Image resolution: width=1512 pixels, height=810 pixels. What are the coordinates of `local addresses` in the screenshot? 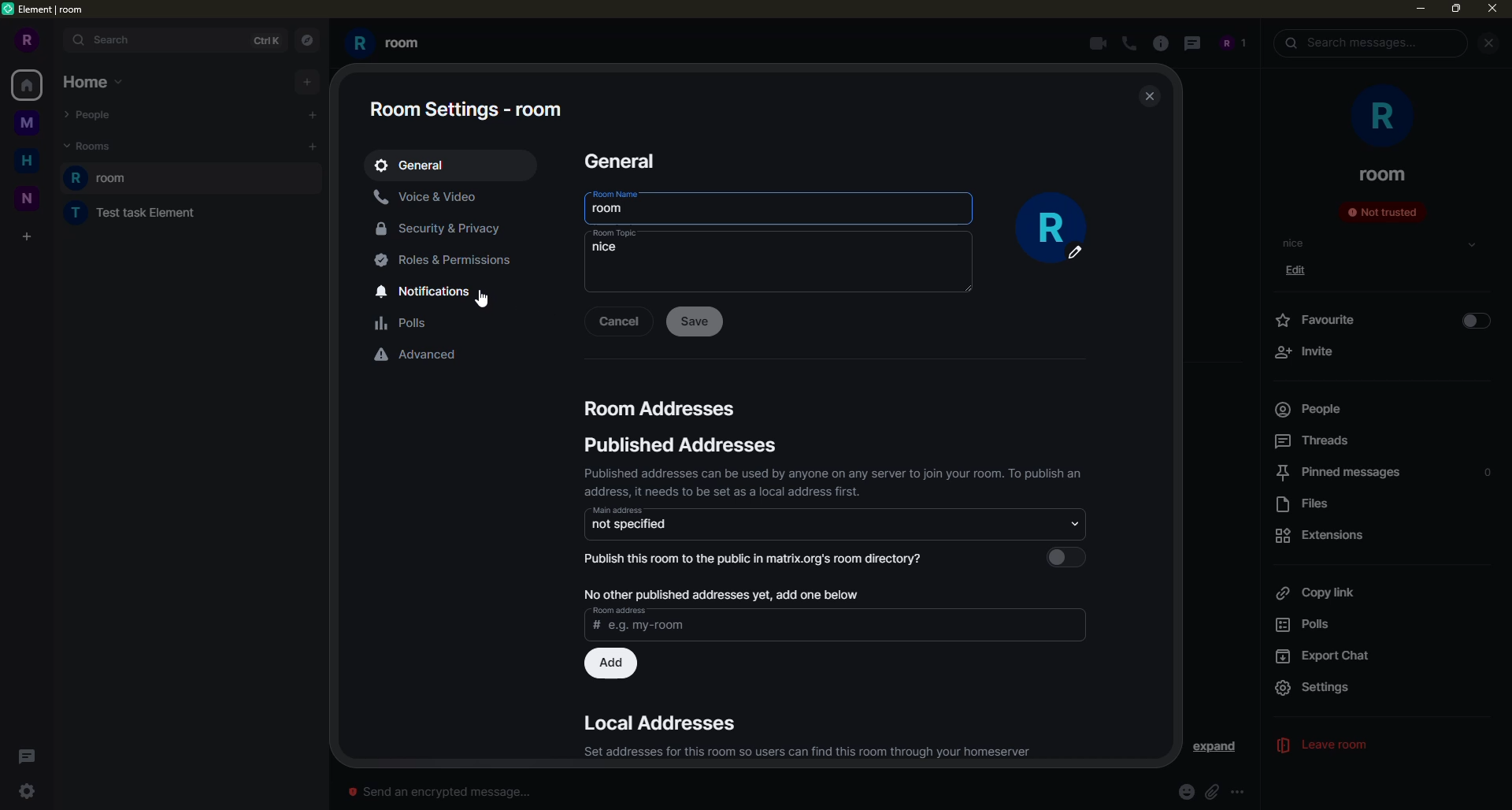 It's located at (665, 723).